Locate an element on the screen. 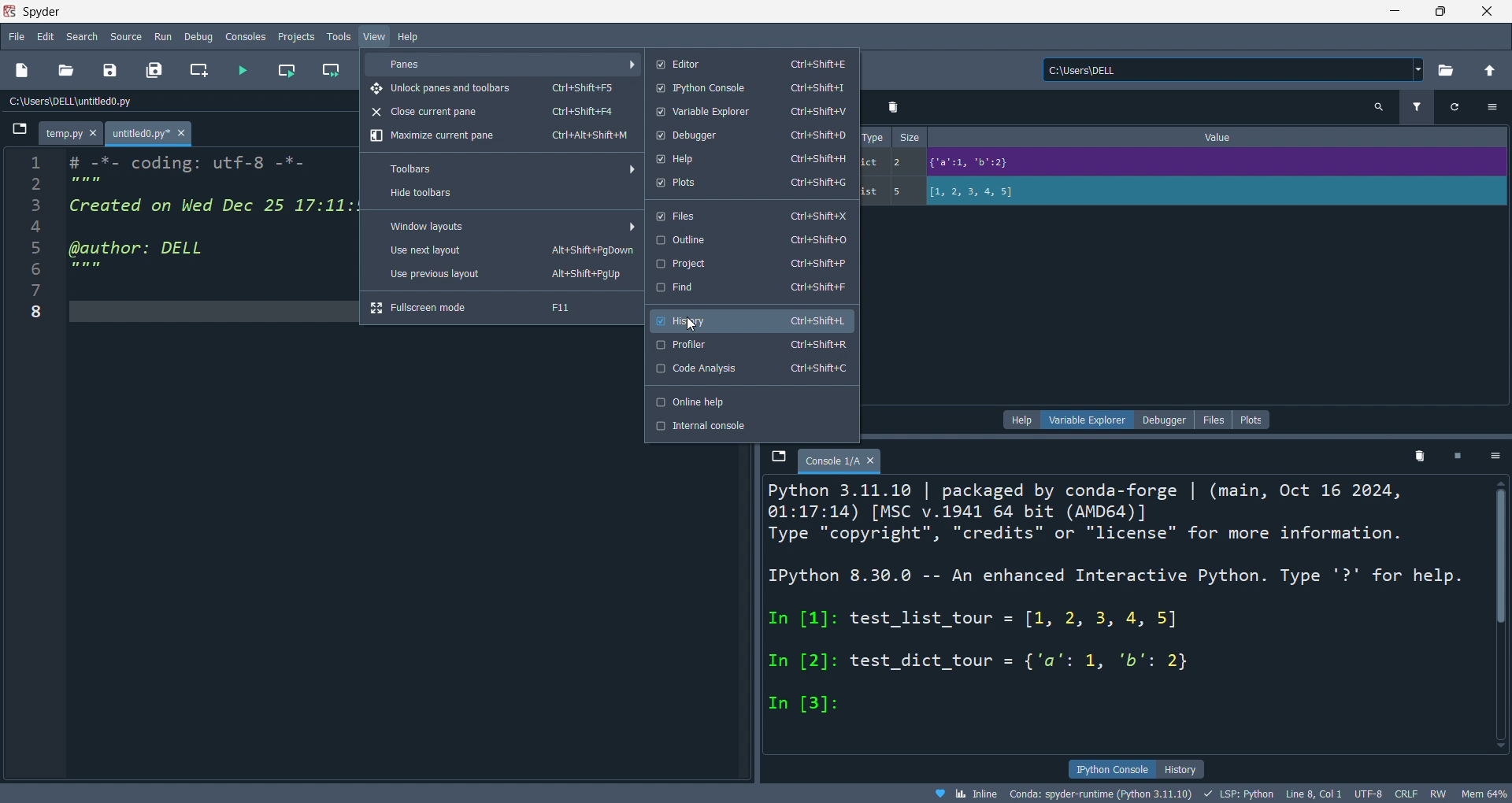  variable value is located at coordinates (1214, 193).